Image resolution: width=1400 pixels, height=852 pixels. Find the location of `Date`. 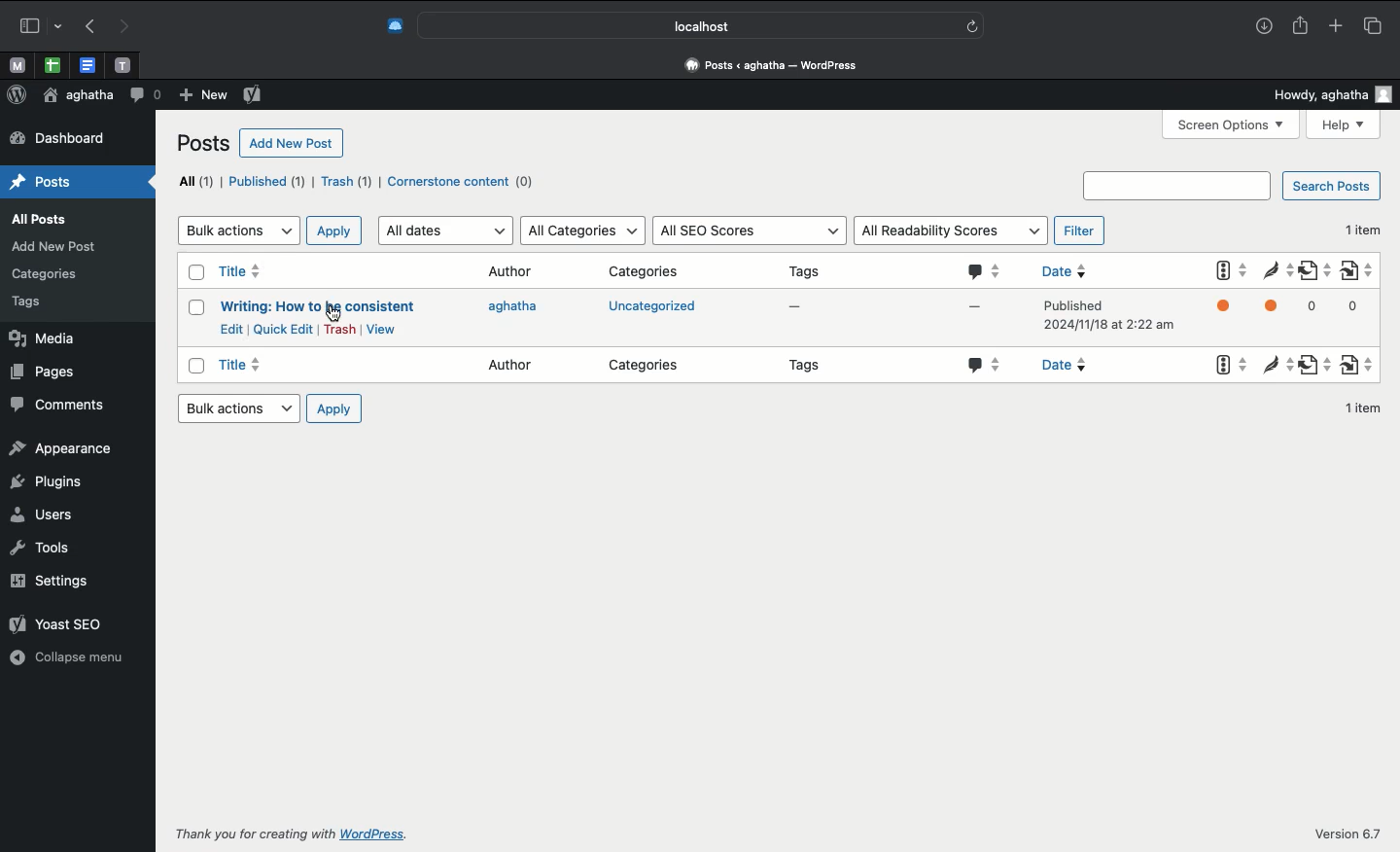

Date is located at coordinates (1067, 270).